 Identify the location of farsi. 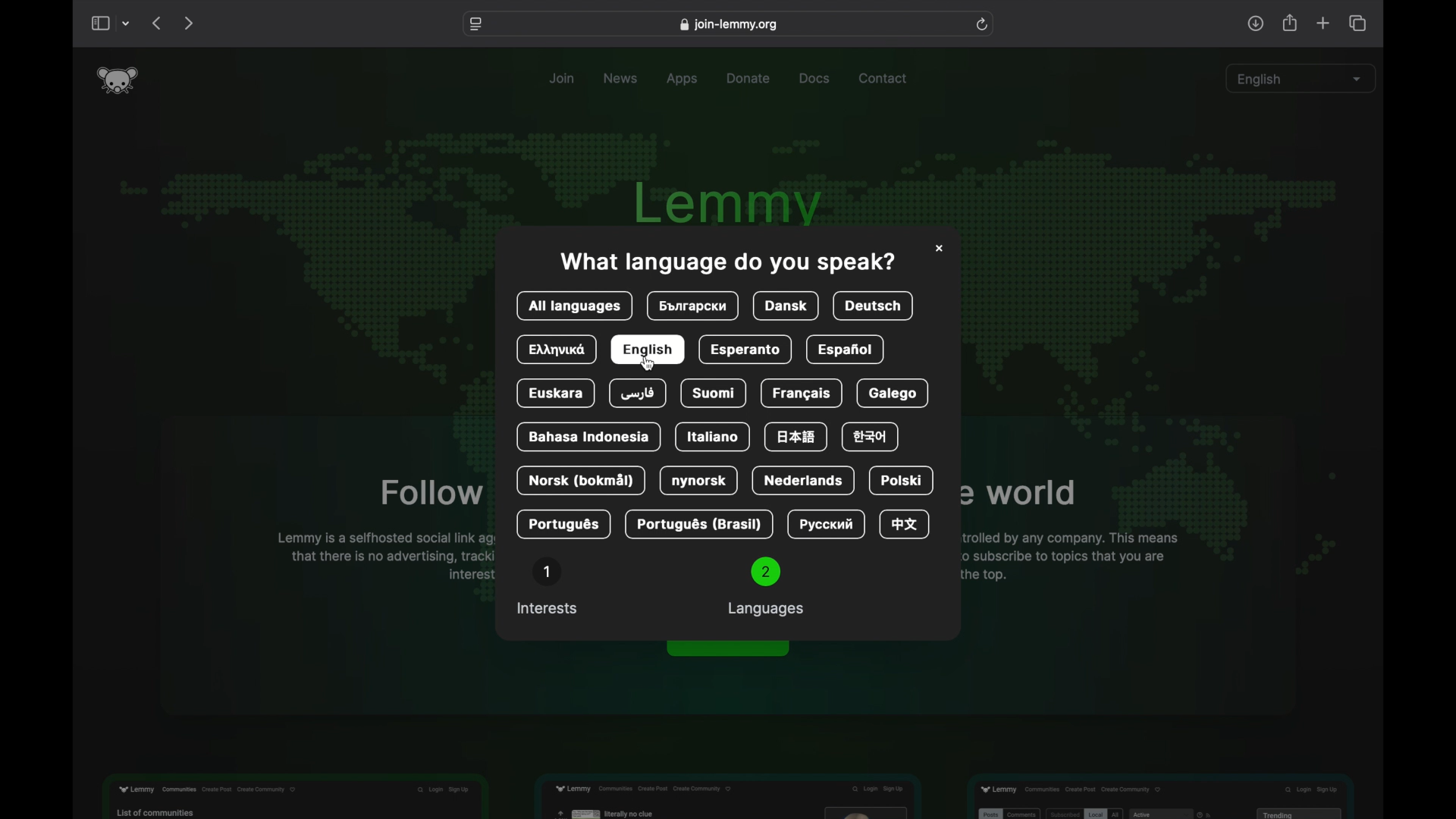
(639, 394).